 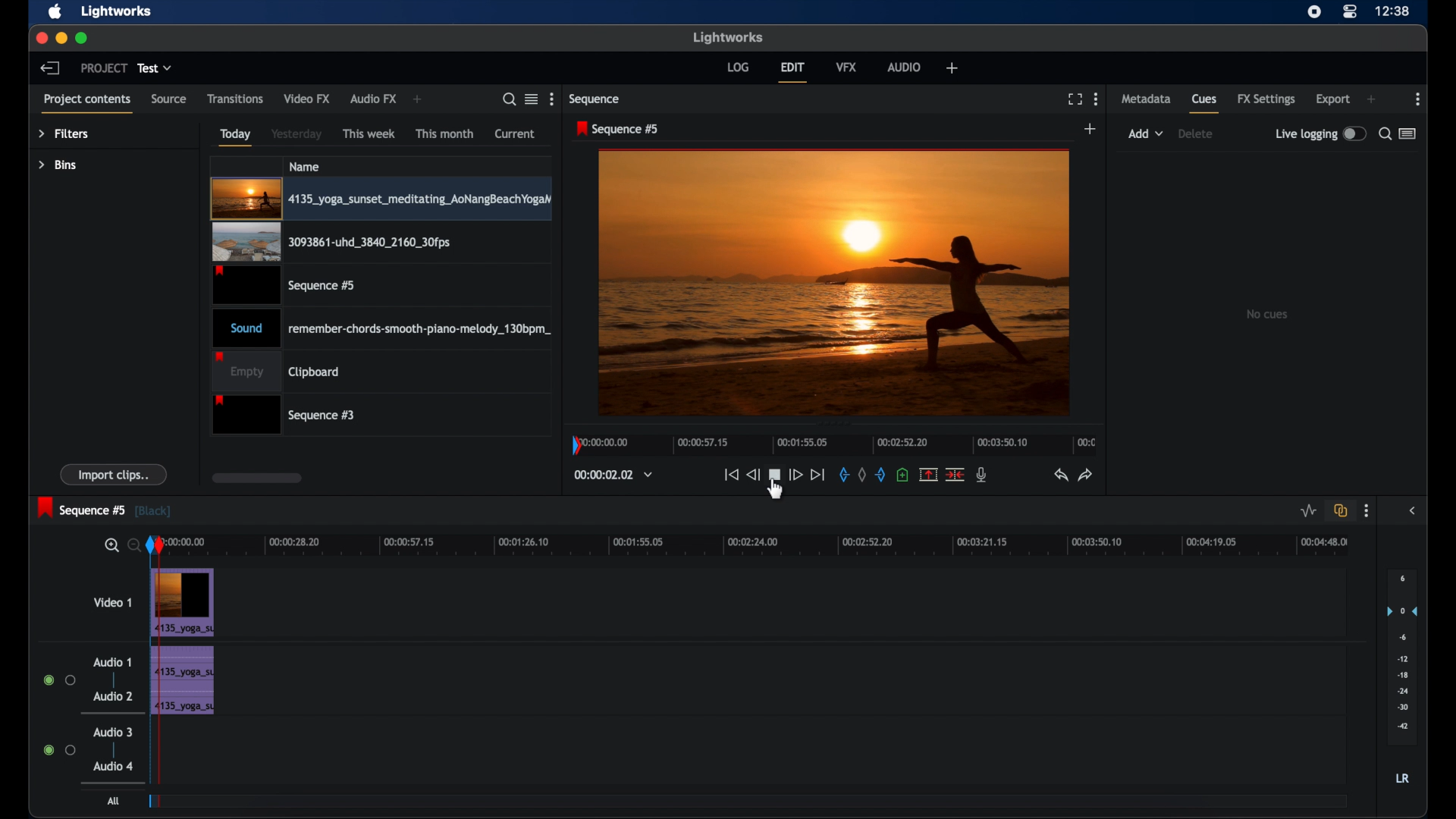 I want to click on video 1, so click(x=114, y=603).